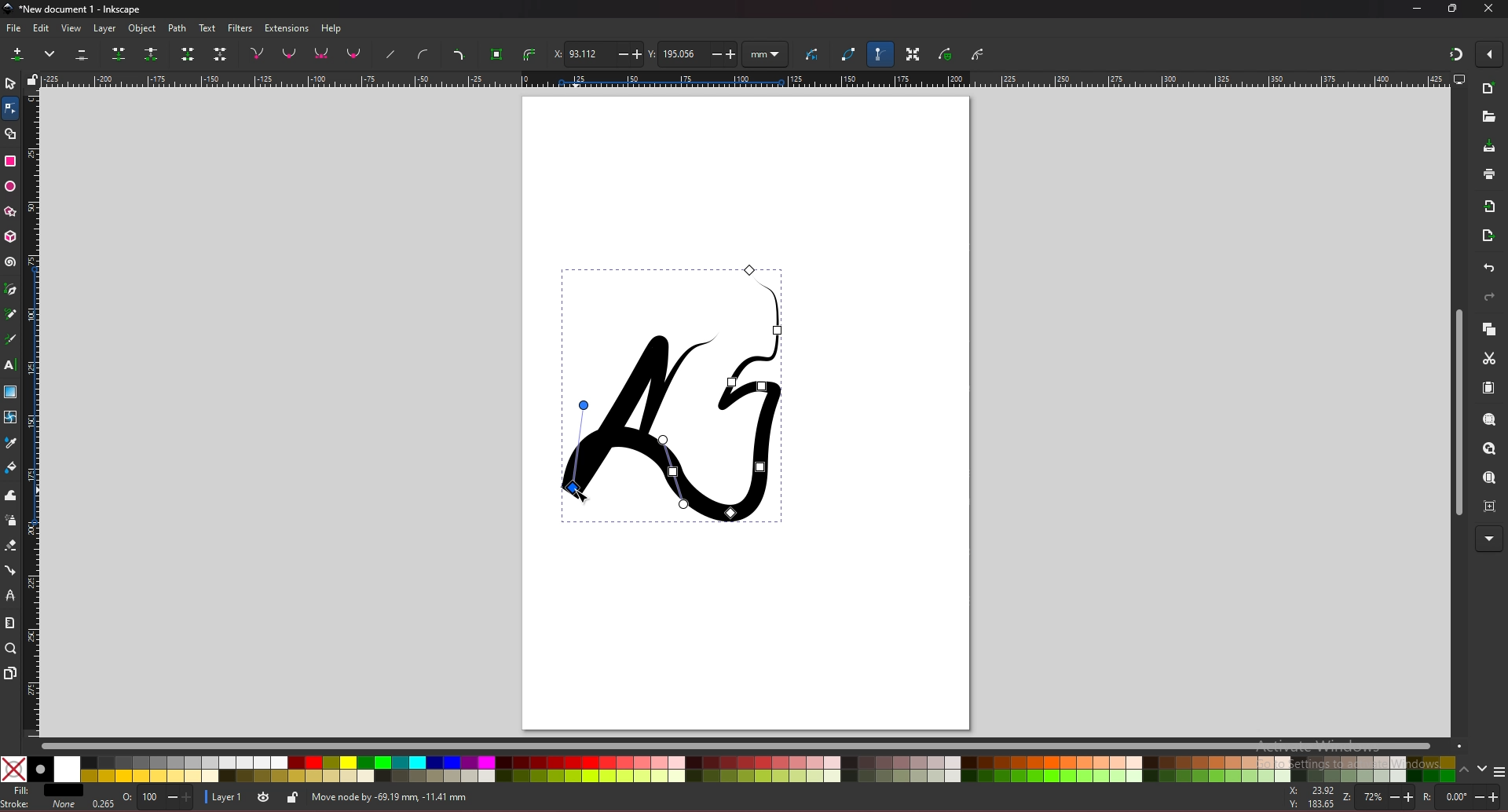 This screenshot has width=1508, height=812. Describe the element at coordinates (11, 264) in the screenshot. I see `spiral` at that location.